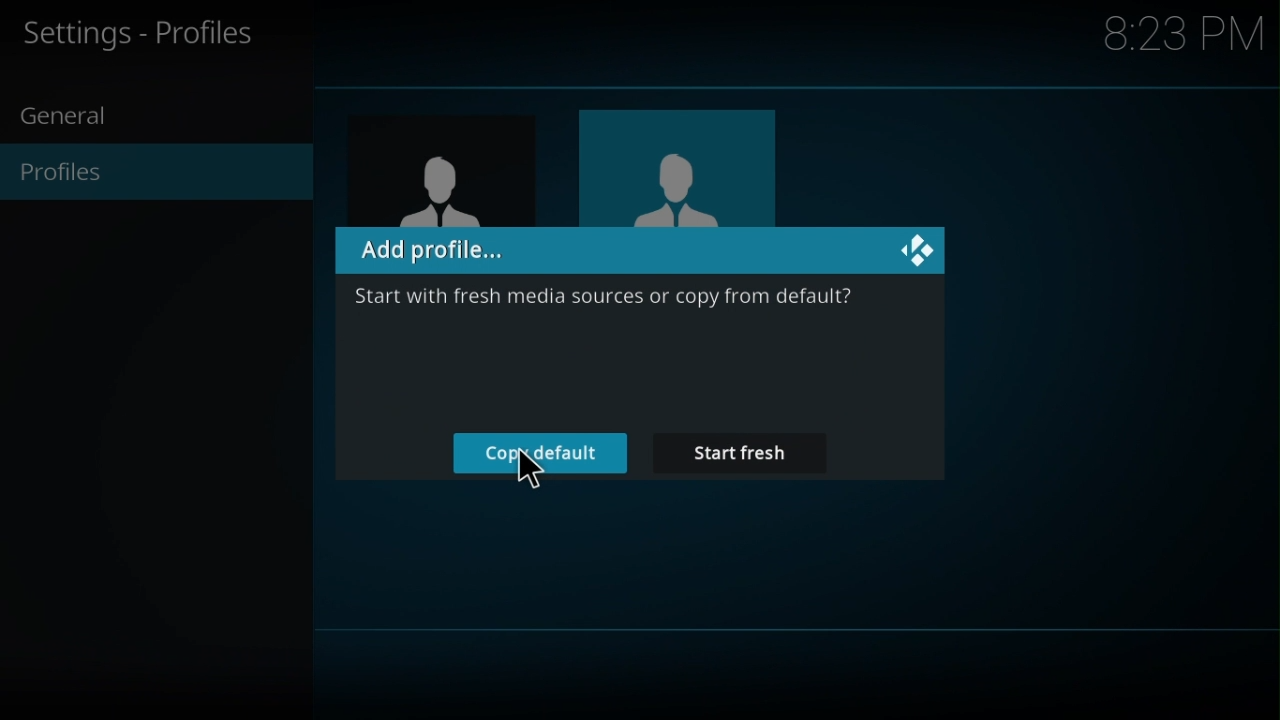 The height and width of the screenshot is (720, 1280). Describe the element at coordinates (71, 117) in the screenshot. I see `general` at that location.